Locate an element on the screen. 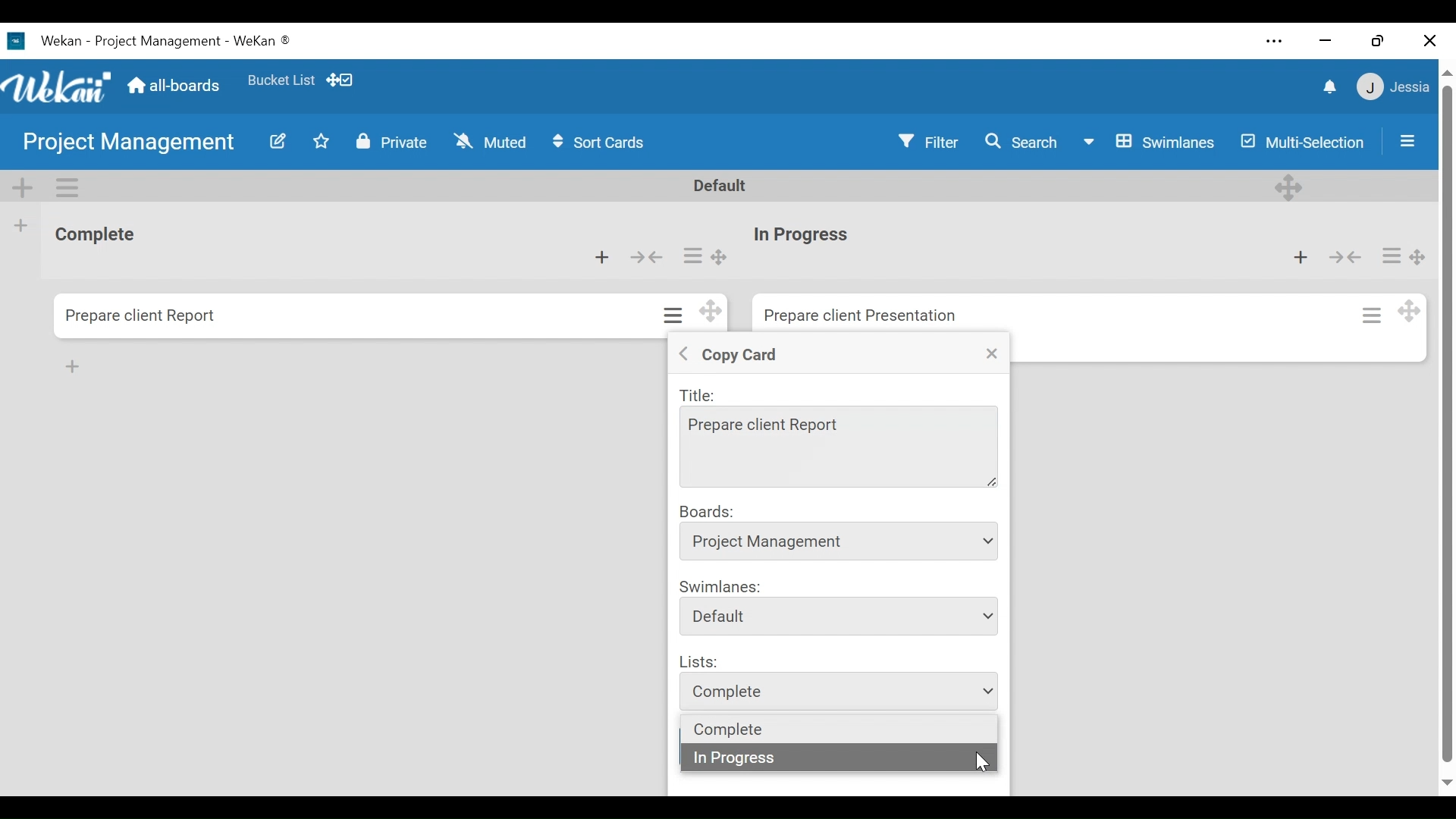 Image resolution: width=1456 pixels, height=819 pixels. minimize is located at coordinates (1326, 40).